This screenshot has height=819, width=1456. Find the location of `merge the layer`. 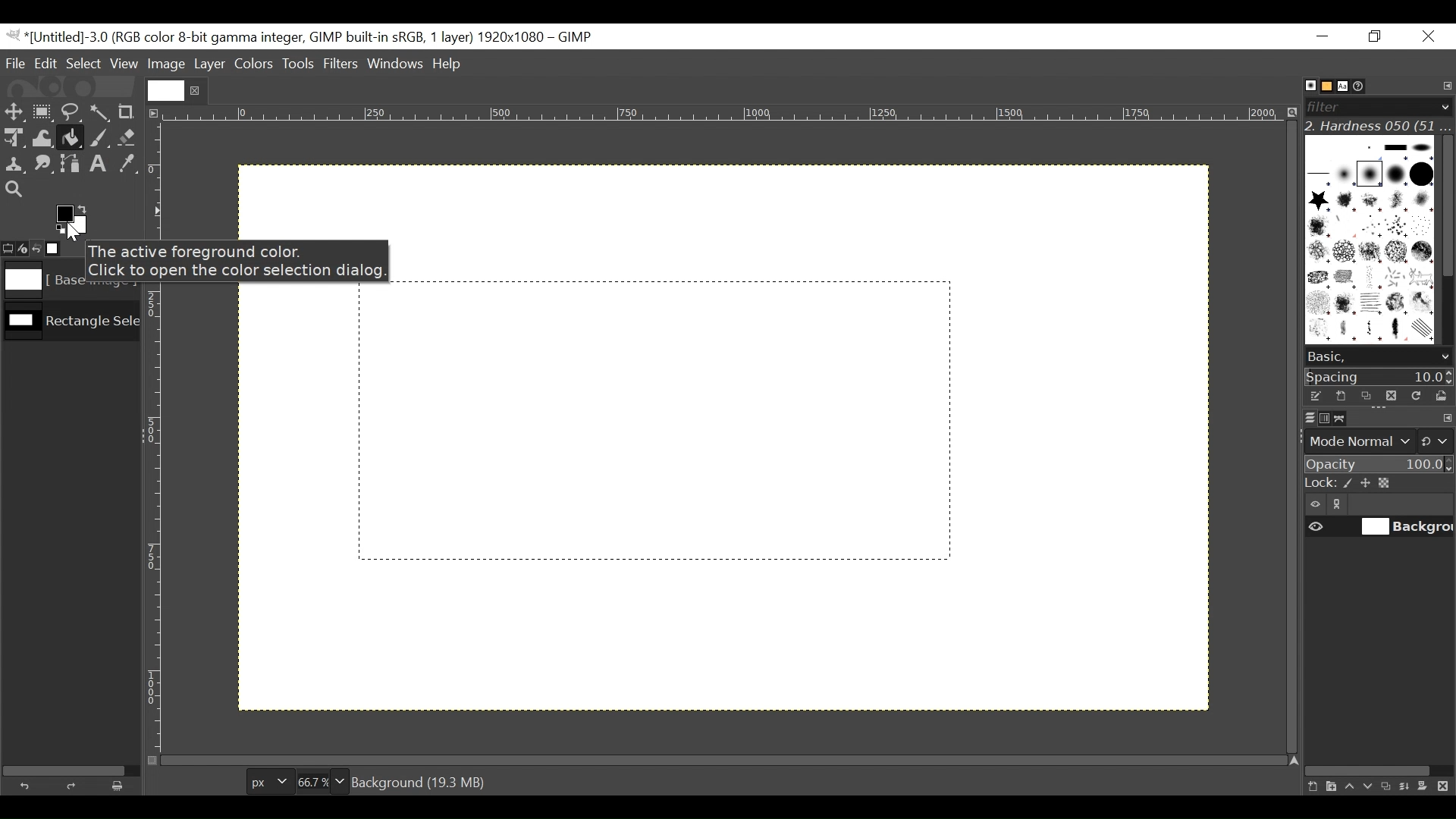

merge the layer is located at coordinates (1408, 786).